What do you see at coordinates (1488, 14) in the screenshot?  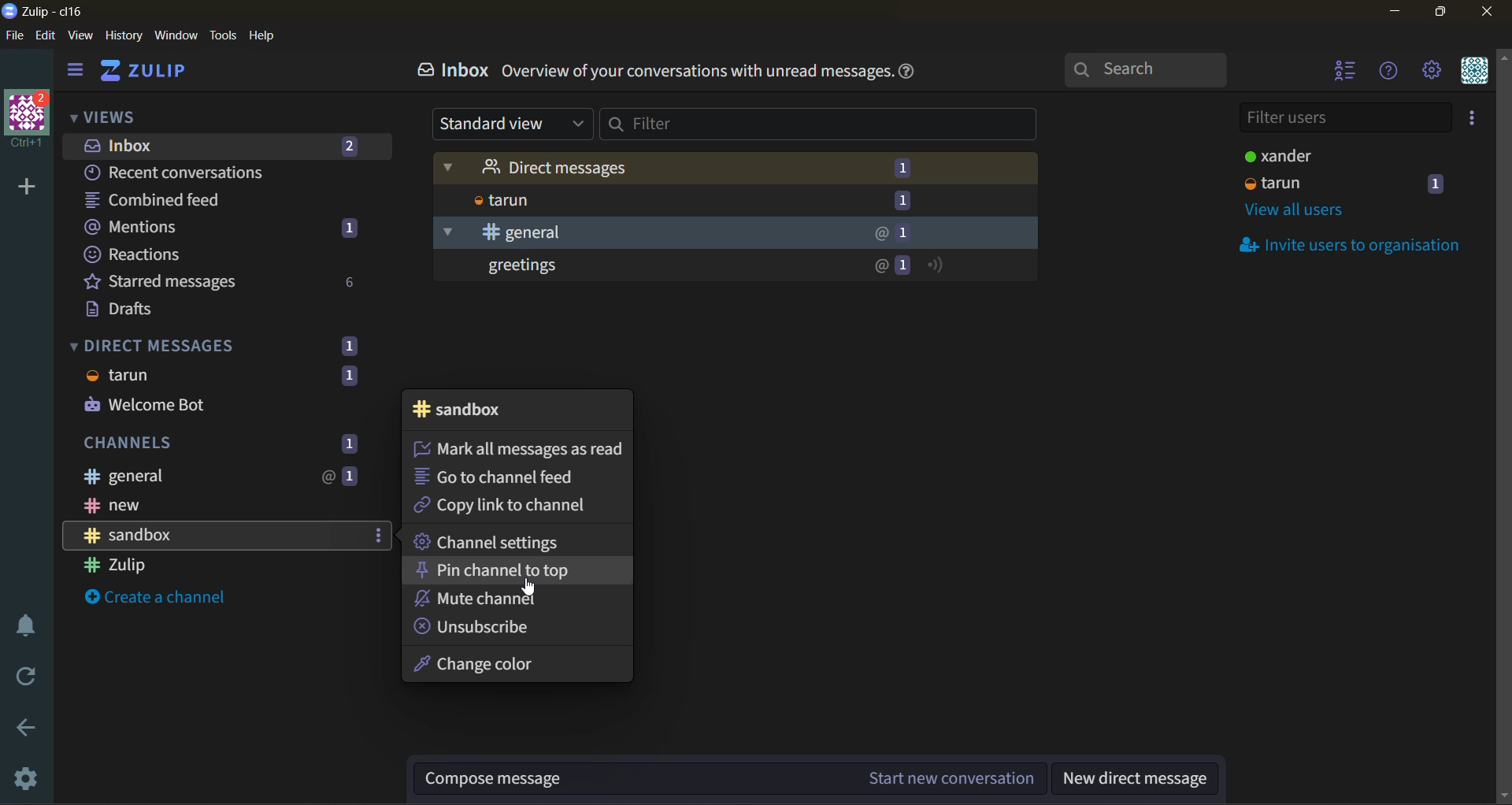 I see `close` at bounding box center [1488, 14].